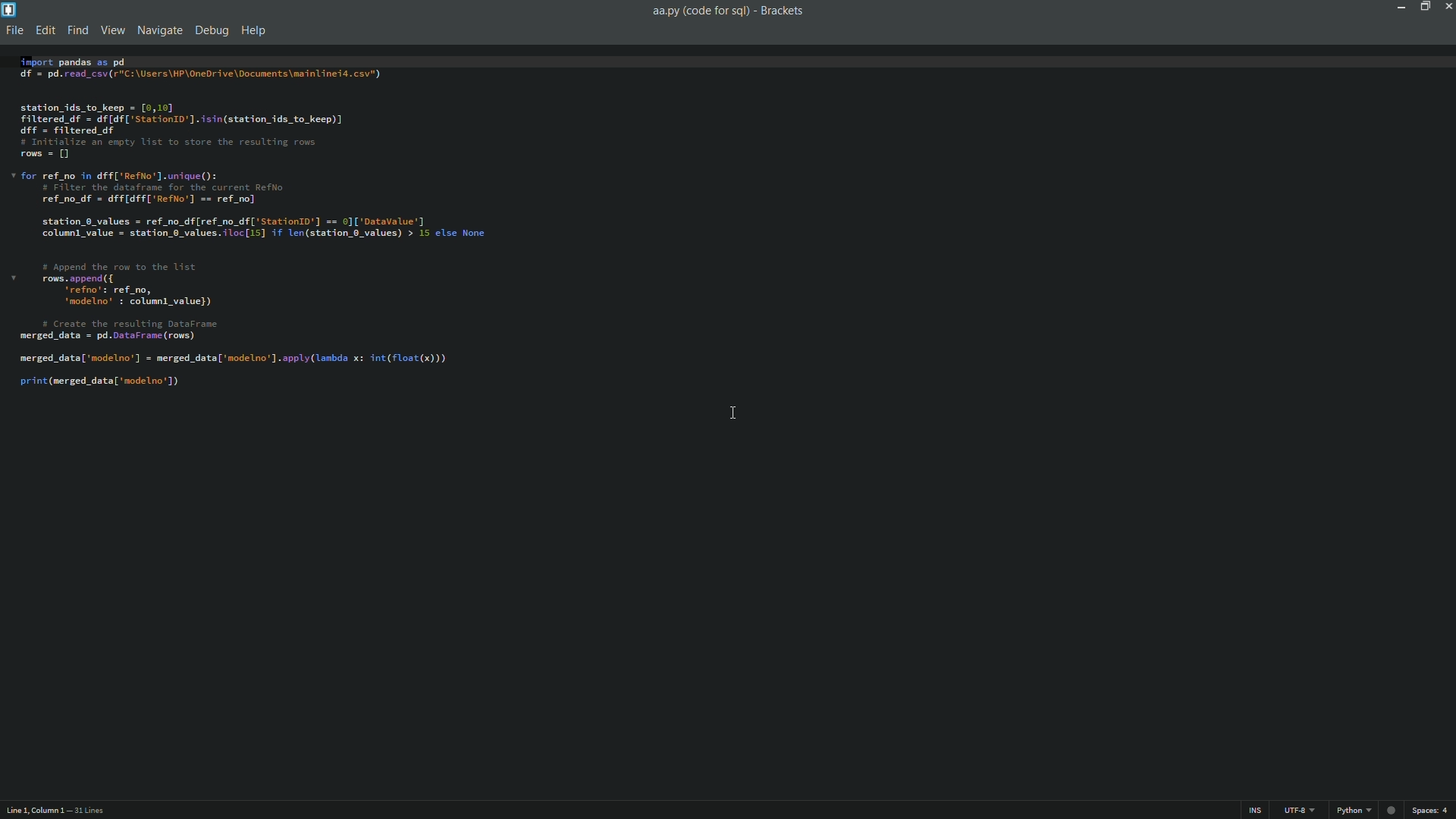 The height and width of the screenshot is (819, 1456). Describe the element at coordinates (1423, 7) in the screenshot. I see `maximize` at that location.